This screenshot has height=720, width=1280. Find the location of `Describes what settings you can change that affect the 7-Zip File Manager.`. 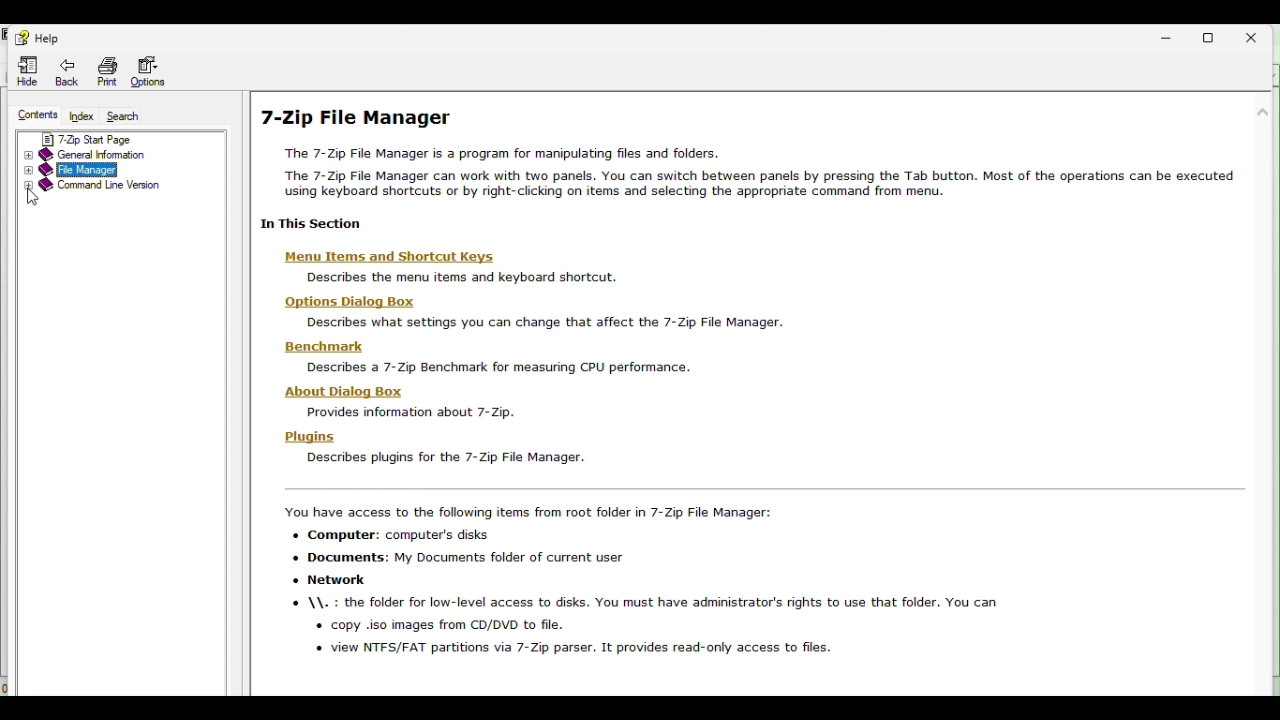

Describes what settings you can change that affect the 7-Zip File Manager. is located at coordinates (537, 322).